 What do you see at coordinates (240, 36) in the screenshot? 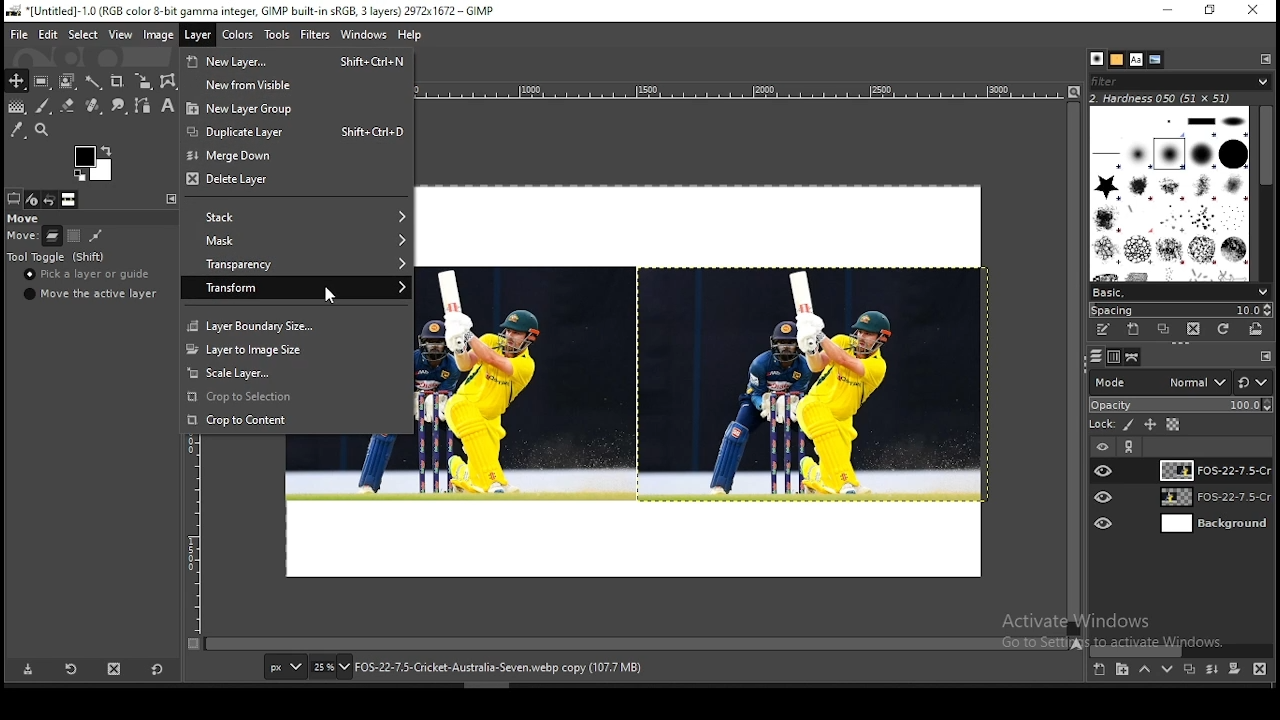
I see `colors` at bounding box center [240, 36].